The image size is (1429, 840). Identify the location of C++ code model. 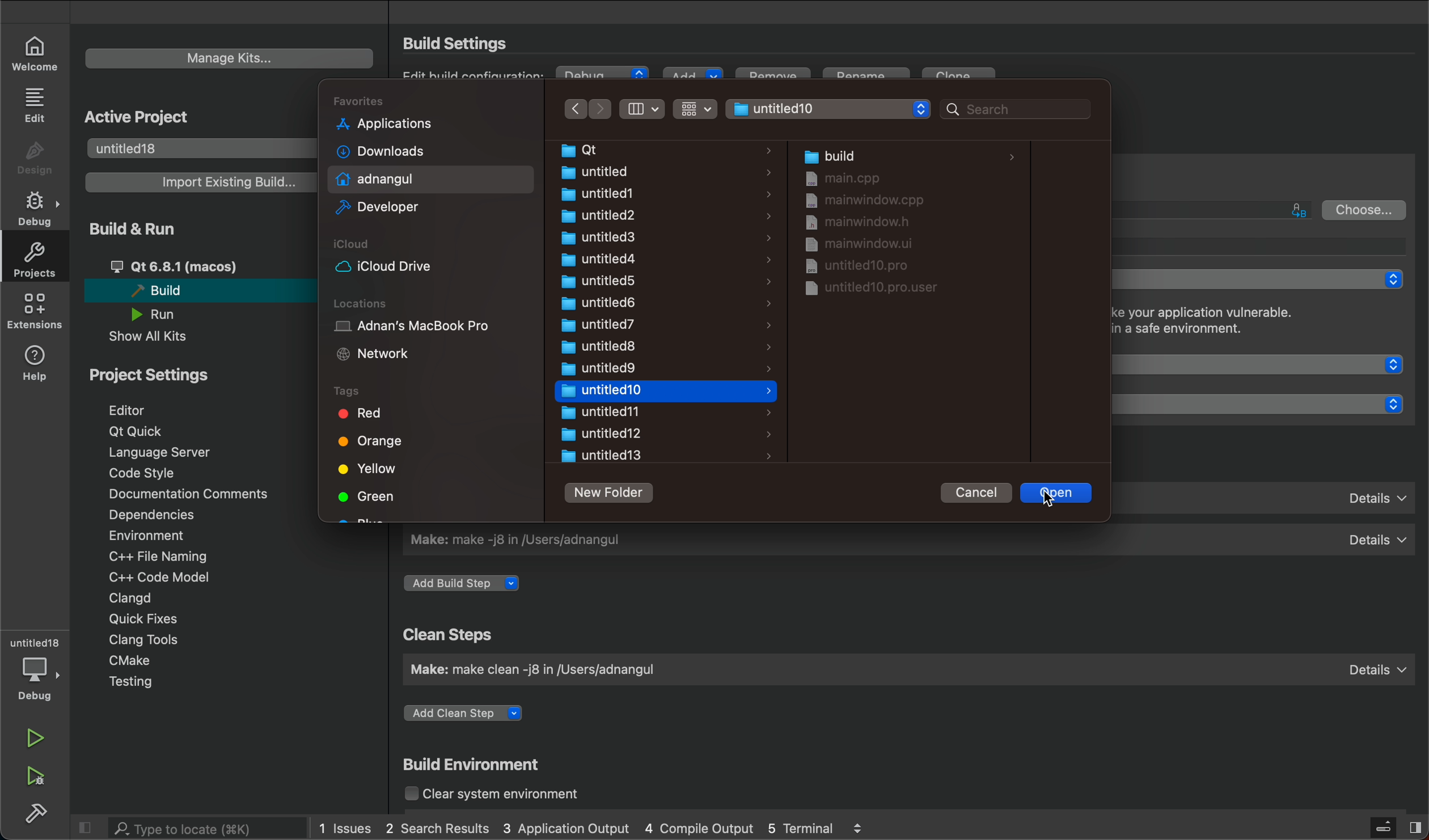
(178, 576).